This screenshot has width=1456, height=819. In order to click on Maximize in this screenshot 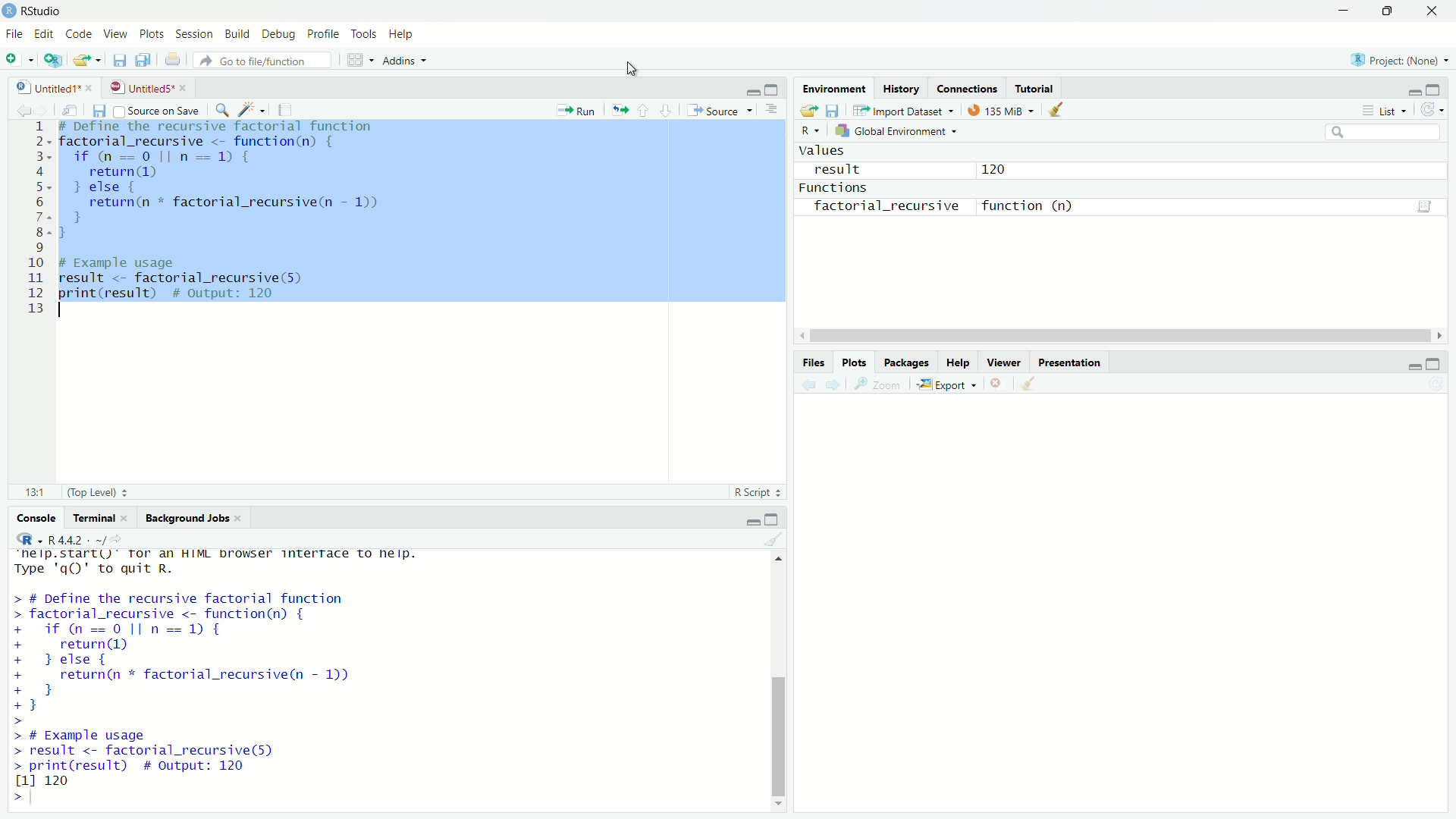, I will do `click(1384, 12)`.